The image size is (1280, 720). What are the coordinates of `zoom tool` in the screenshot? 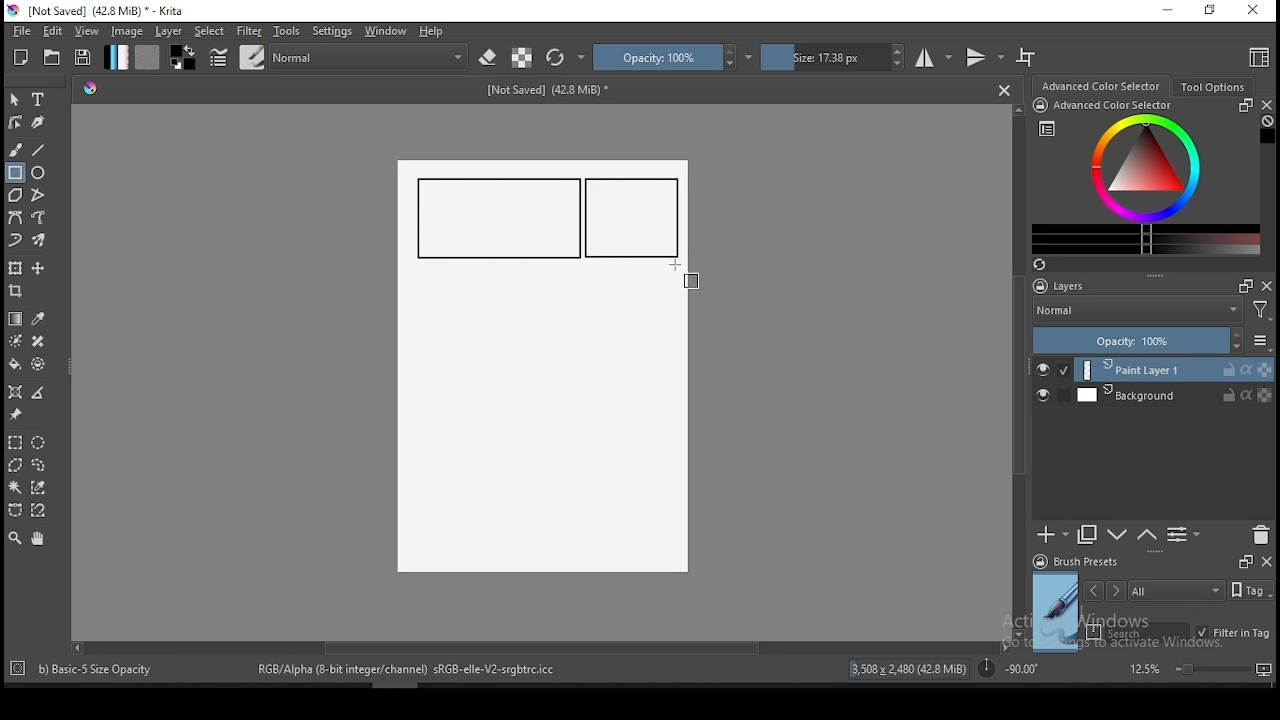 It's located at (15, 537).